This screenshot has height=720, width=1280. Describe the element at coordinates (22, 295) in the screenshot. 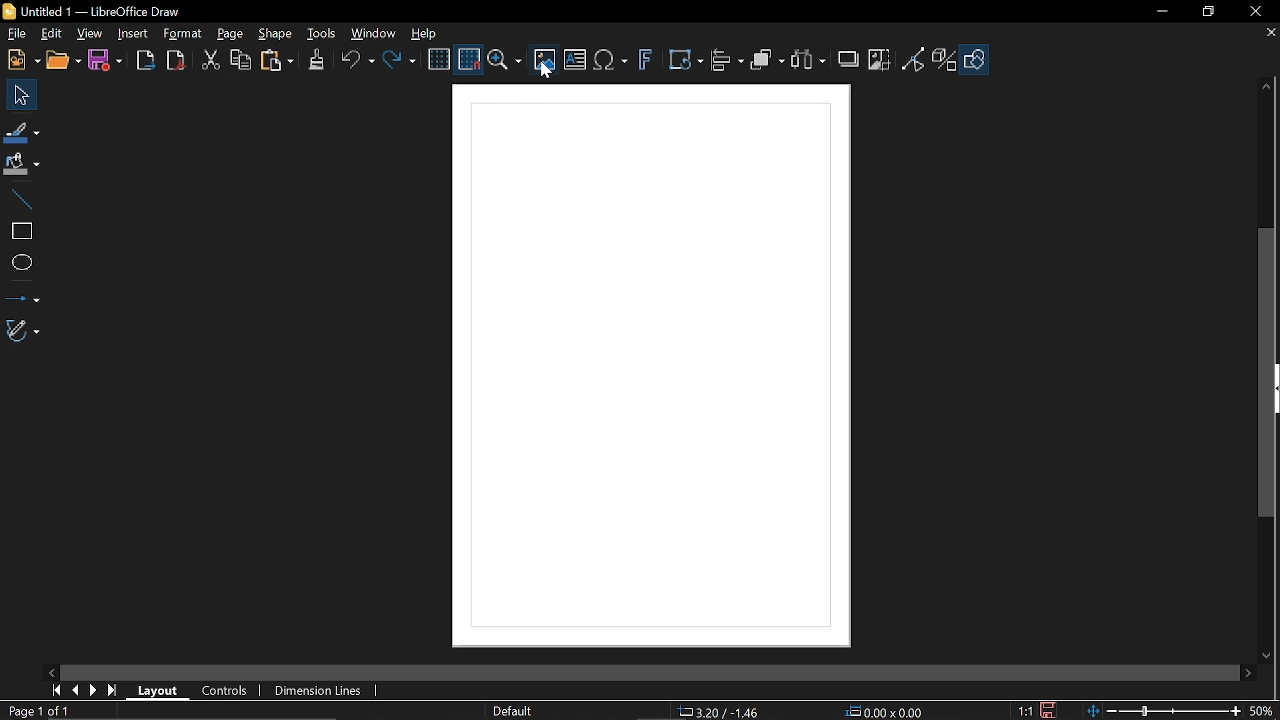

I see `Lines and arrows` at that location.